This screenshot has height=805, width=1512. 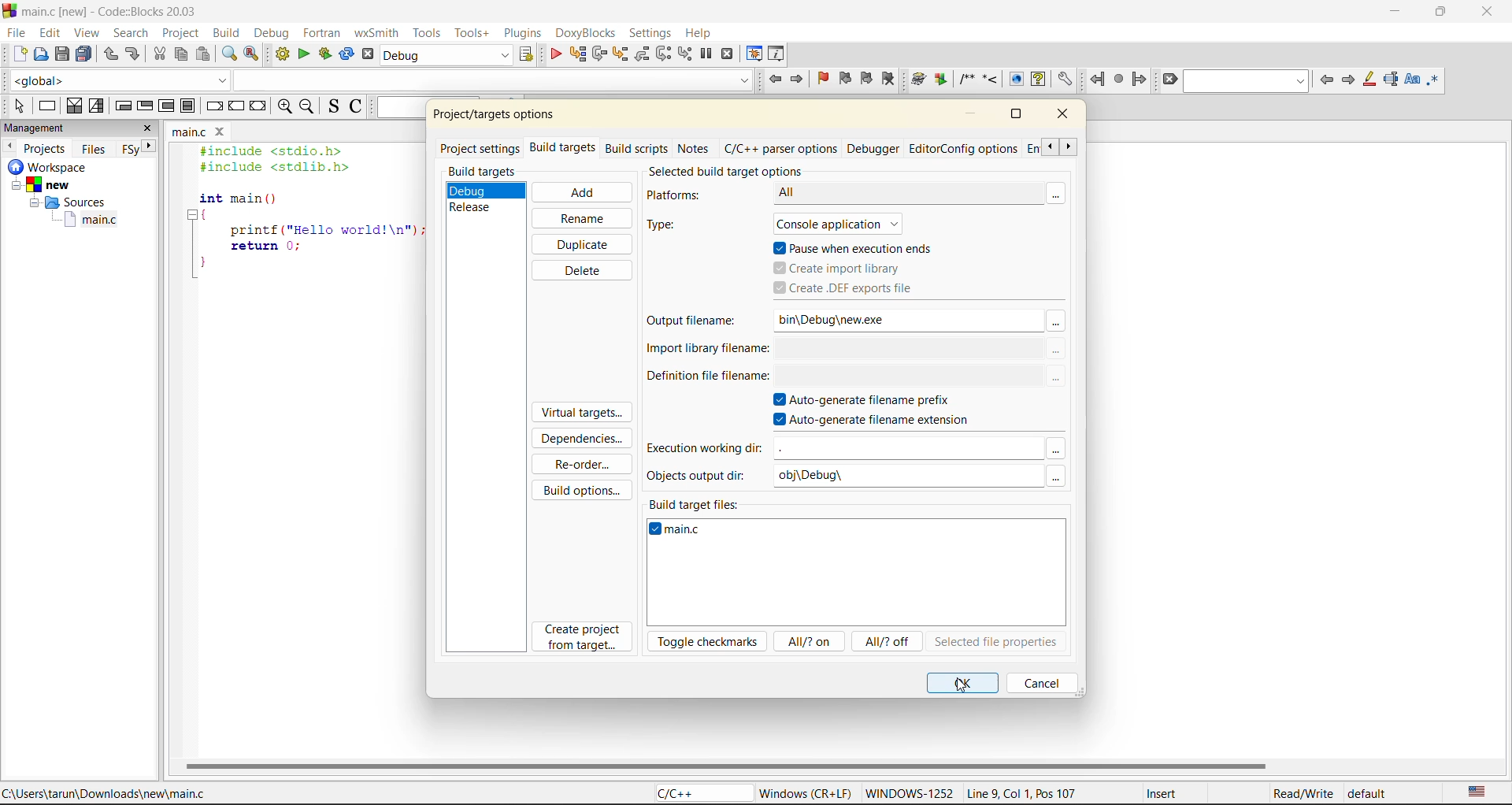 I want to click on toggle comments, so click(x=355, y=108).